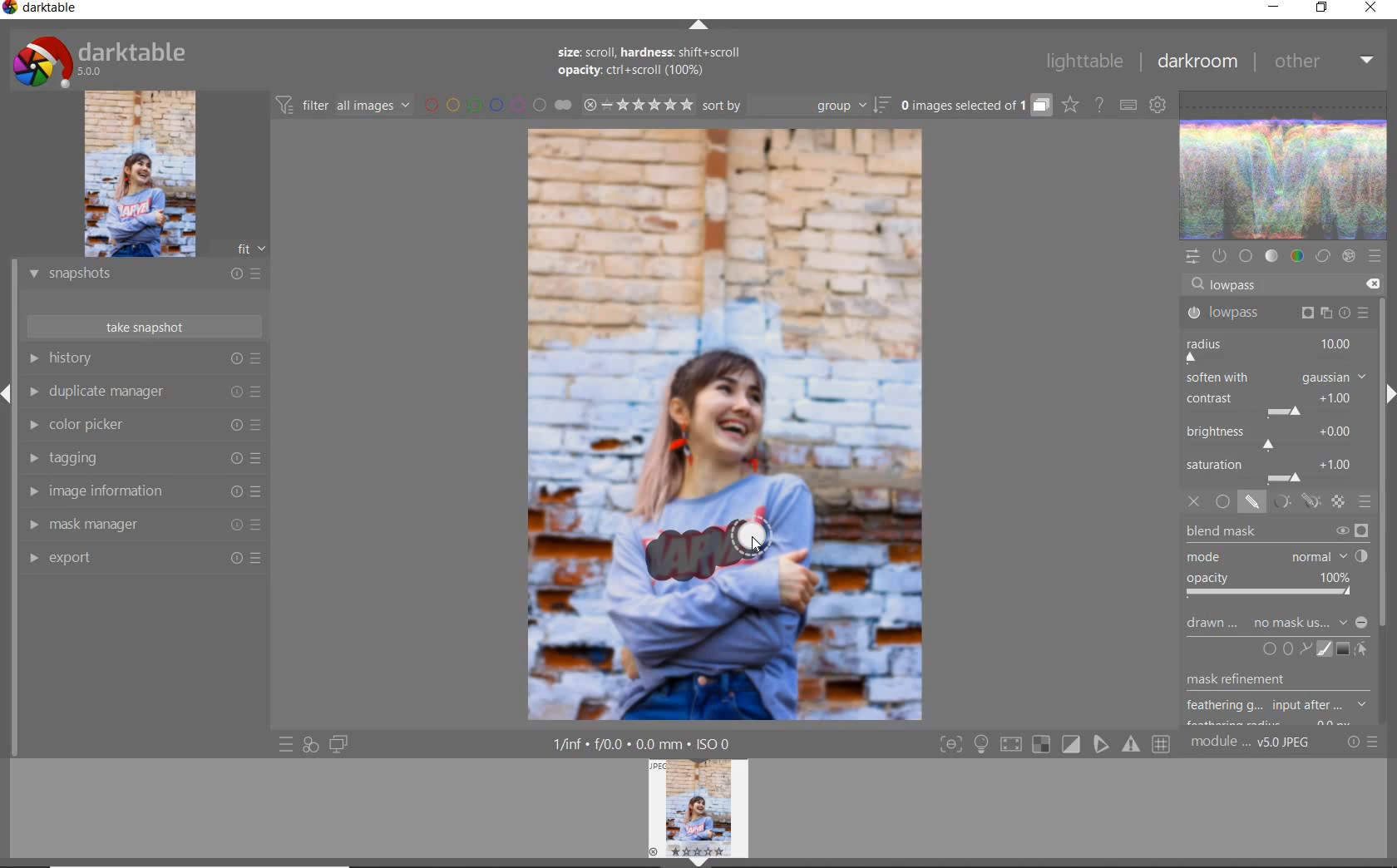 The image size is (1397, 868). Describe the element at coordinates (142, 494) in the screenshot. I see `image information` at that location.